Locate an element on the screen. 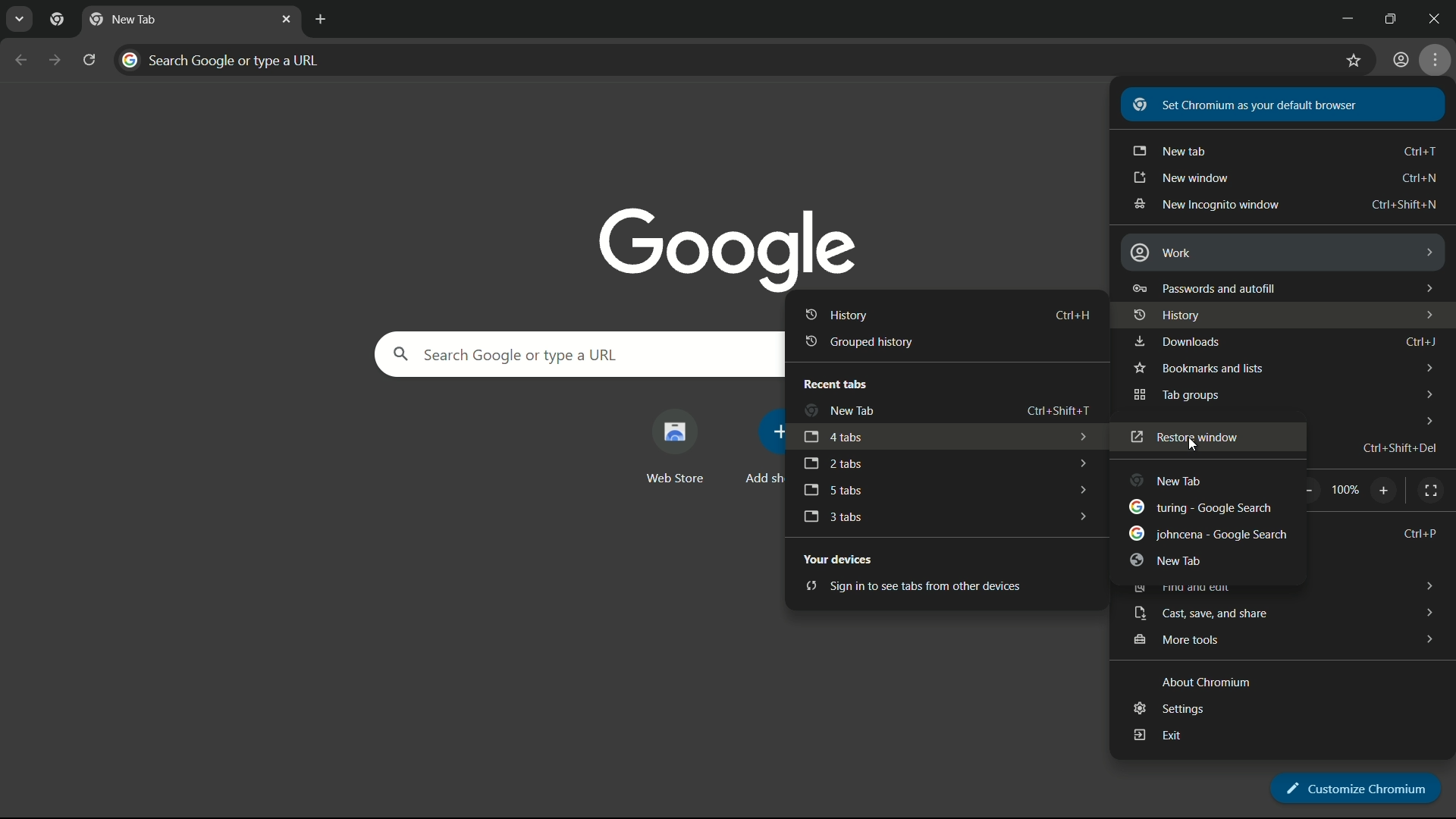 The image size is (1456, 819). settings is located at coordinates (1437, 59).